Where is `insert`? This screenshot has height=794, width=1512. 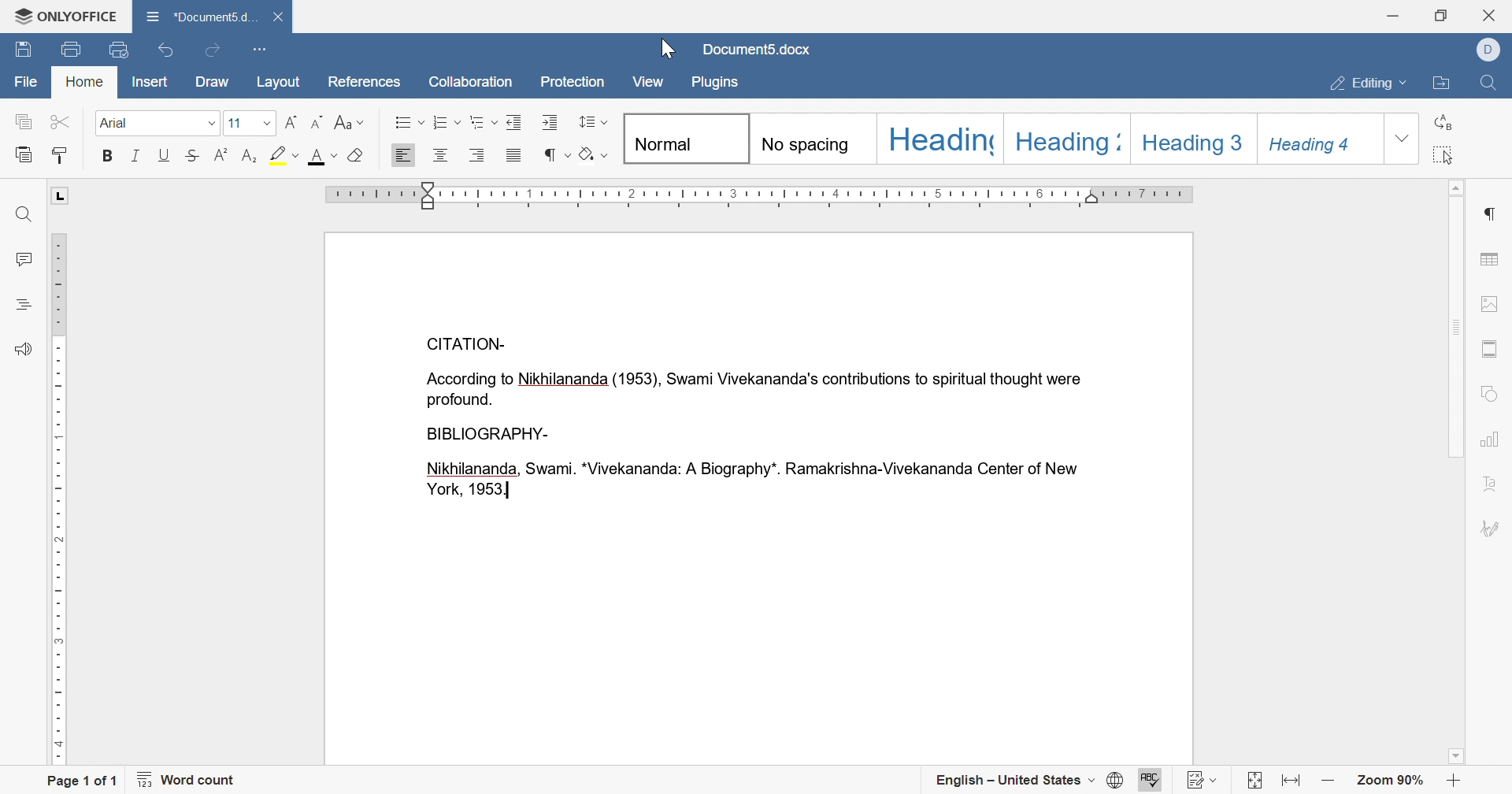 insert is located at coordinates (153, 82).